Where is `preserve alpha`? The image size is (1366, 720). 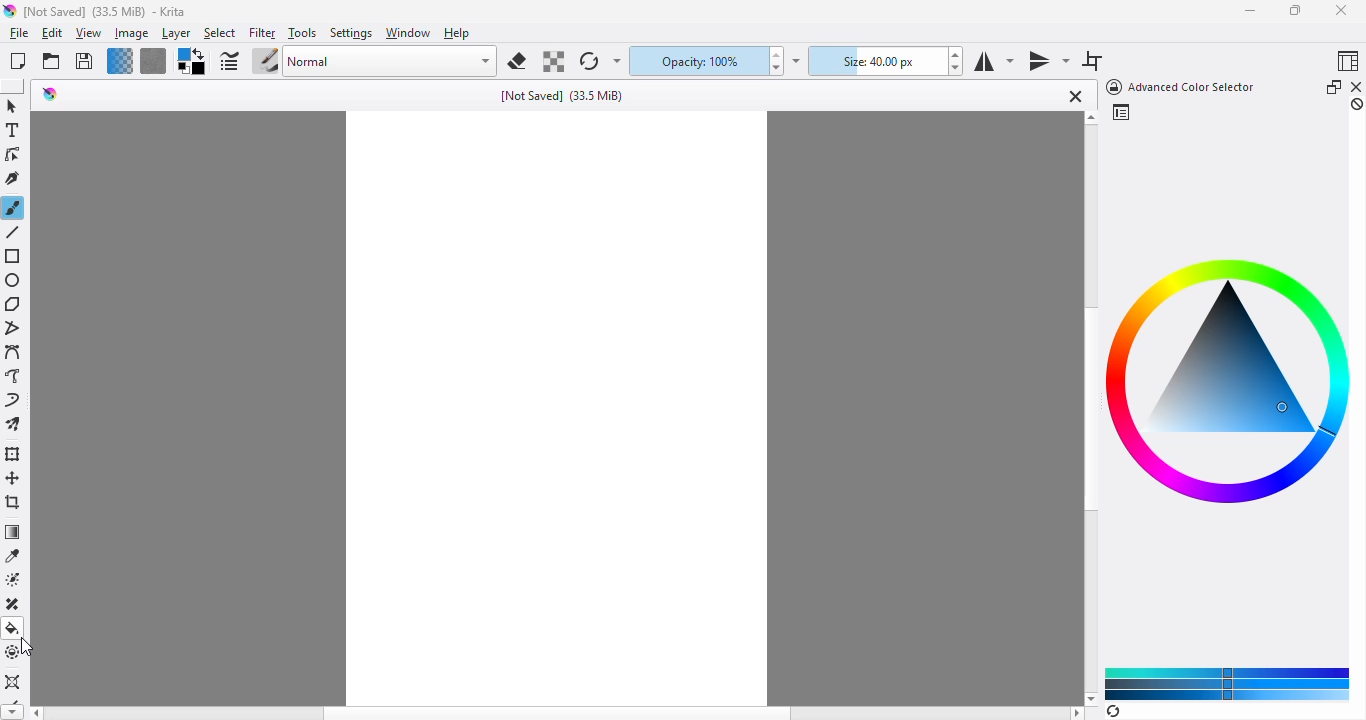 preserve alpha is located at coordinates (552, 61).